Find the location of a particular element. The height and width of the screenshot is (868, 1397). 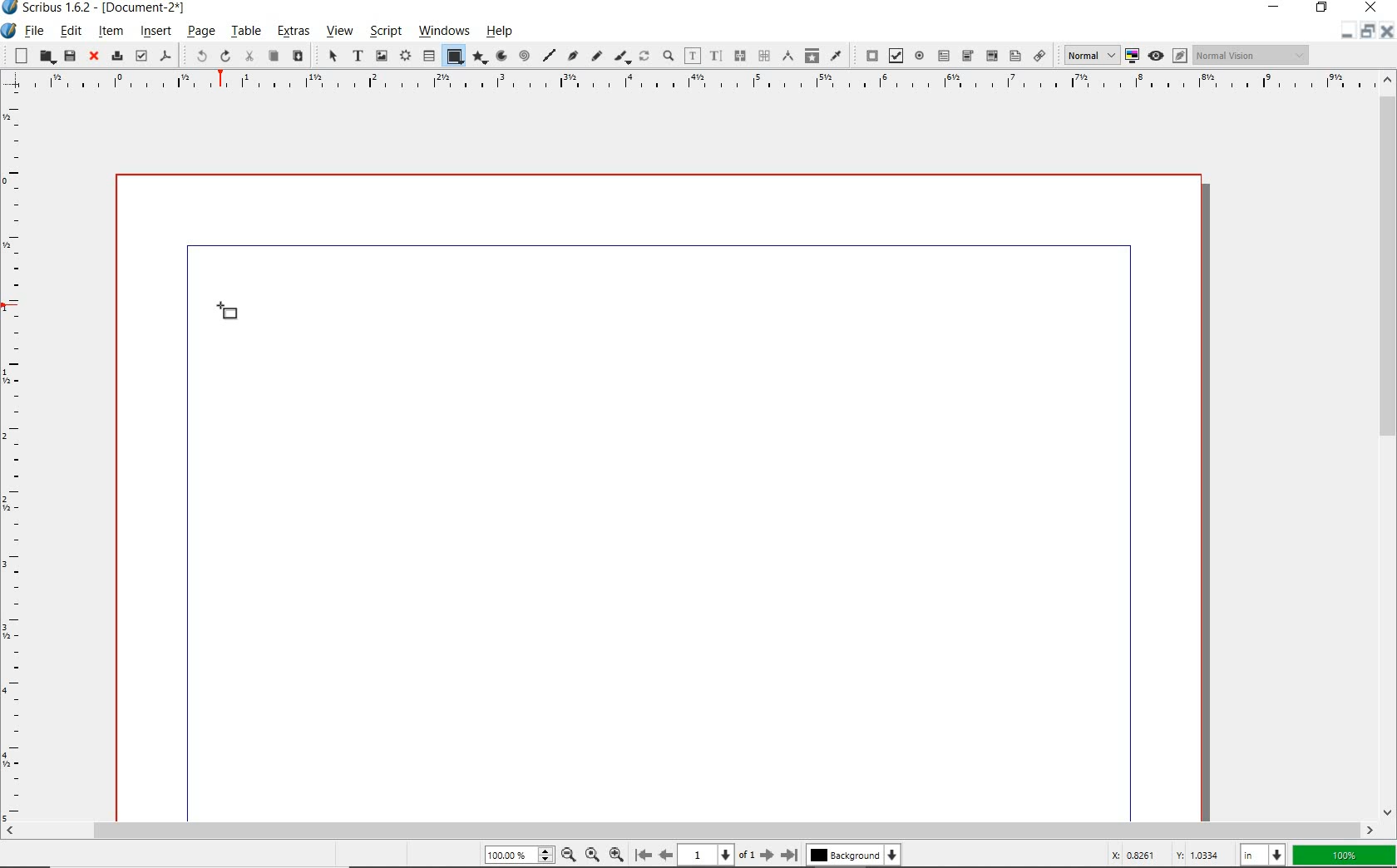

coordinates is located at coordinates (1164, 856).